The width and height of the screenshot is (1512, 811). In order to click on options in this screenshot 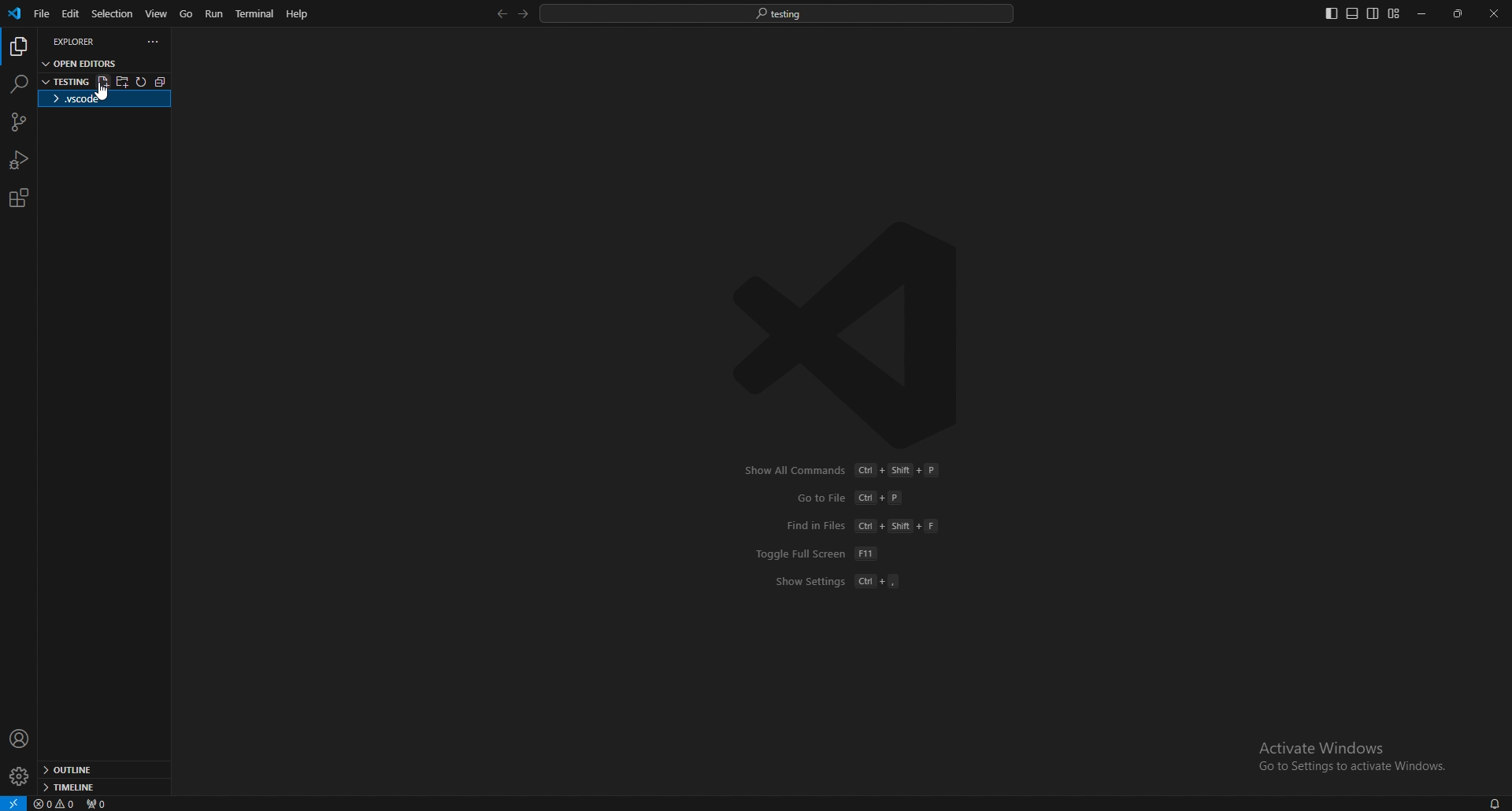, I will do `click(154, 42)`.